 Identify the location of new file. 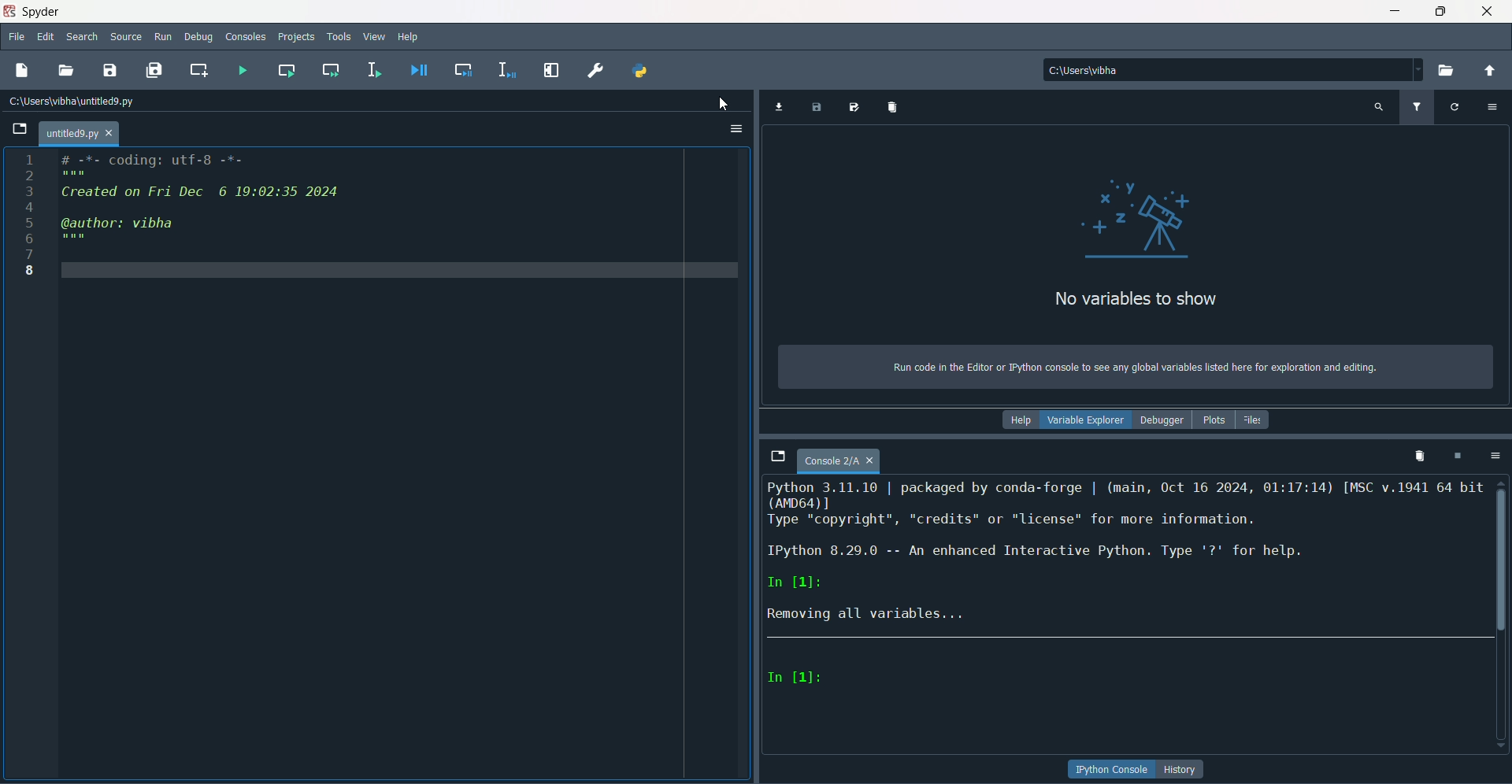
(21, 70).